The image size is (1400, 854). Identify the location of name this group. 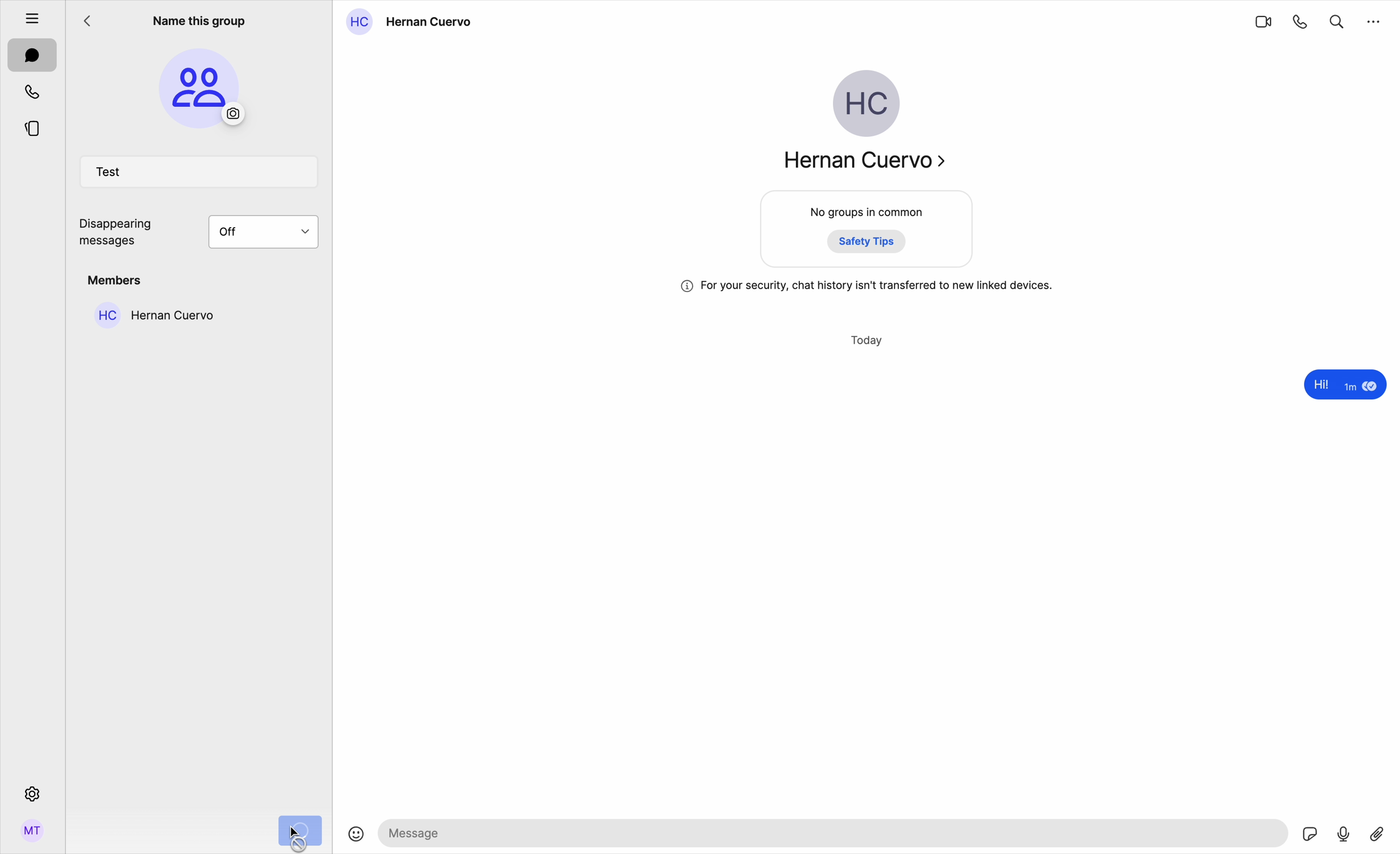
(198, 19).